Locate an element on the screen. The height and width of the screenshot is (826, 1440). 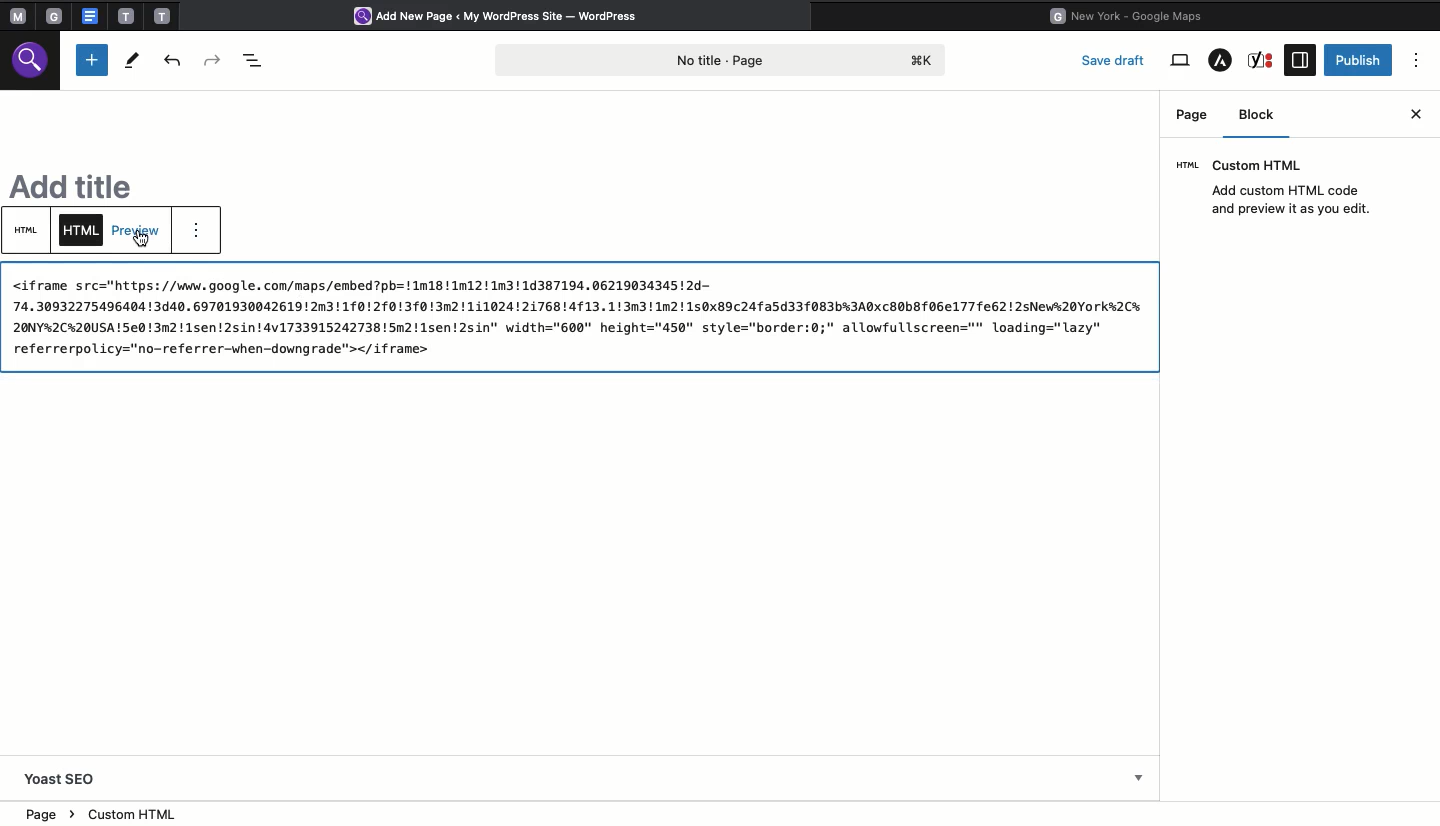
Undo is located at coordinates (175, 60).